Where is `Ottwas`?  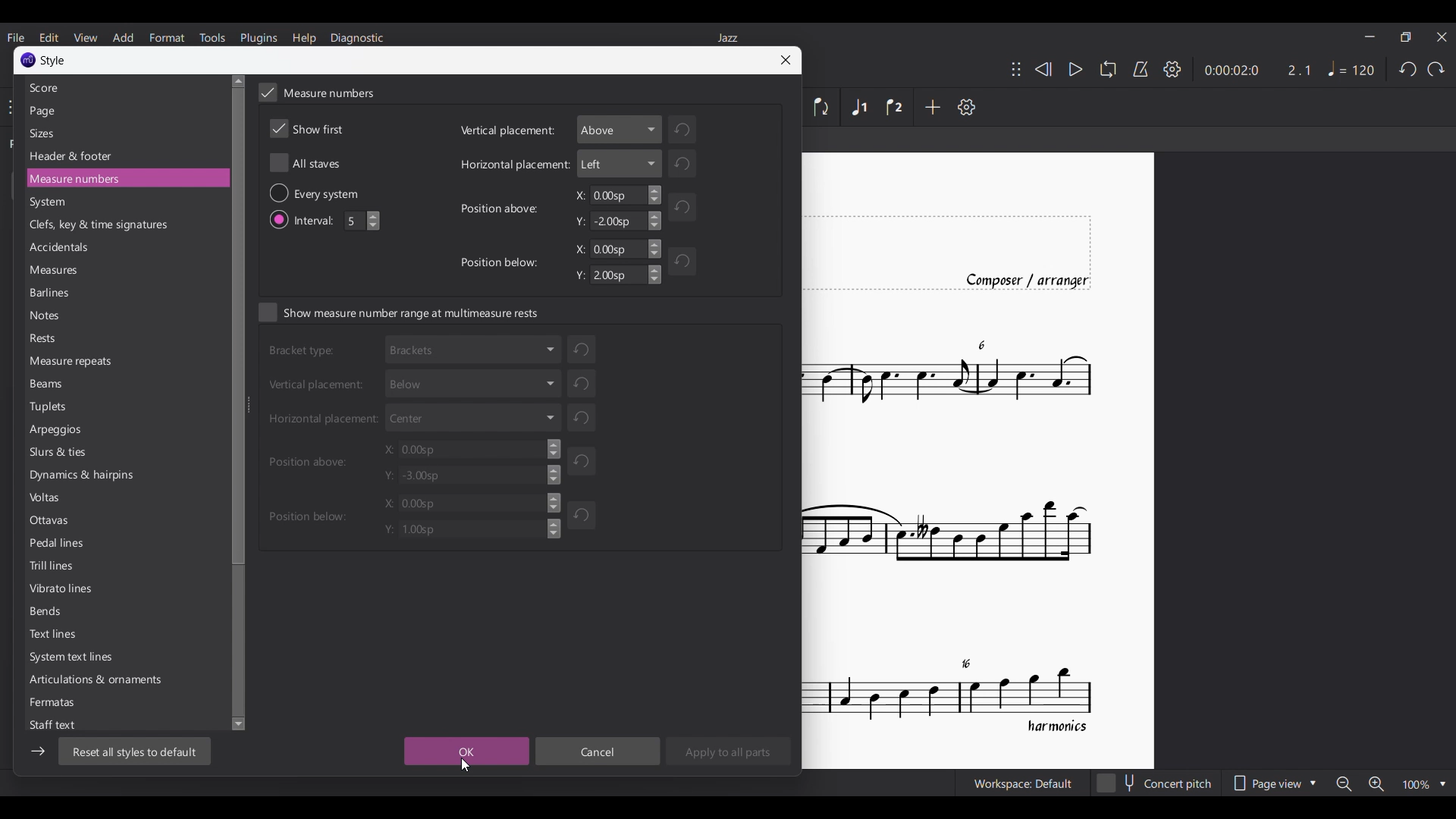
Ottwas is located at coordinates (53, 523).